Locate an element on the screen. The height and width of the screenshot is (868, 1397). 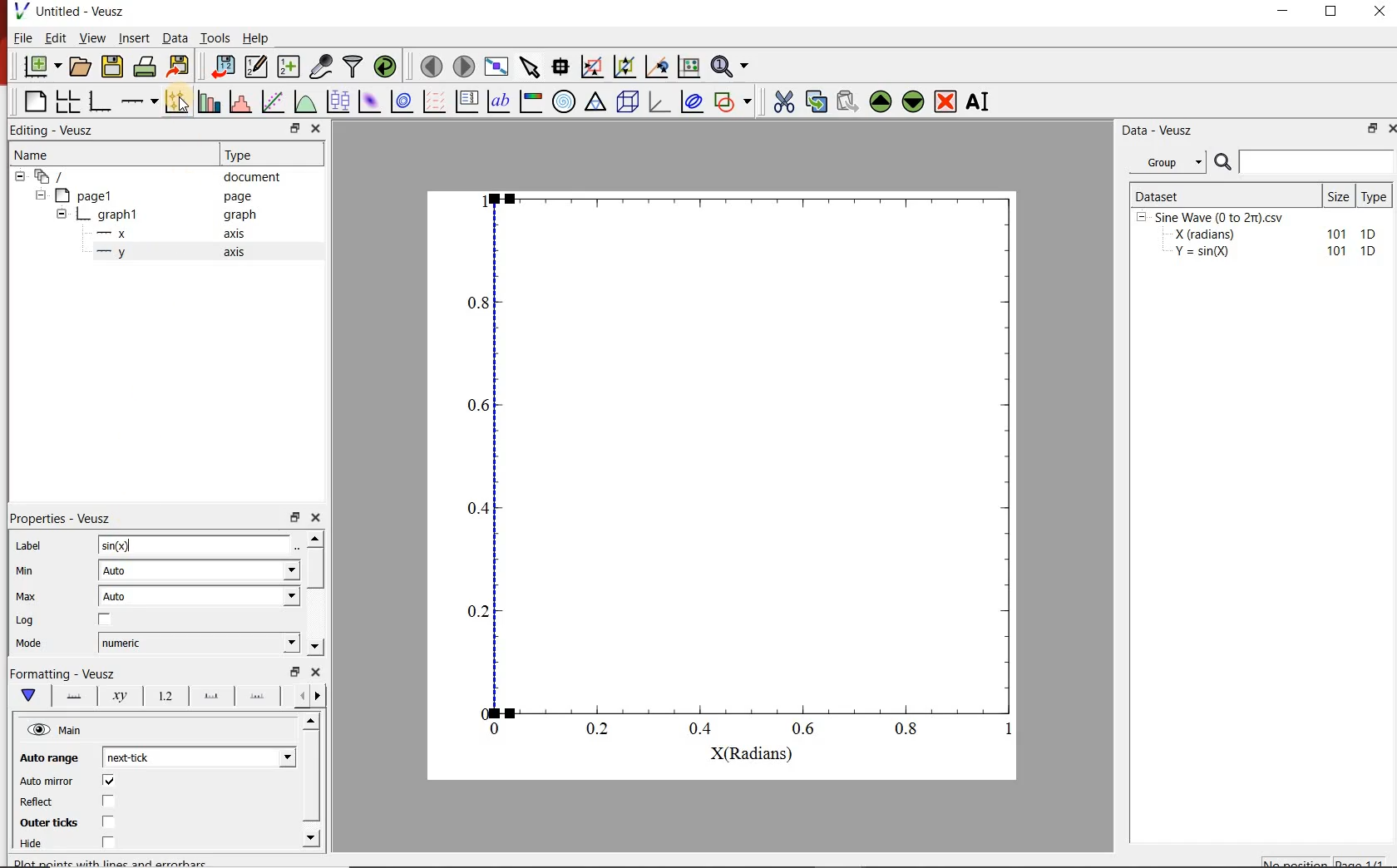
histogram is located at coordinates (242, 101).